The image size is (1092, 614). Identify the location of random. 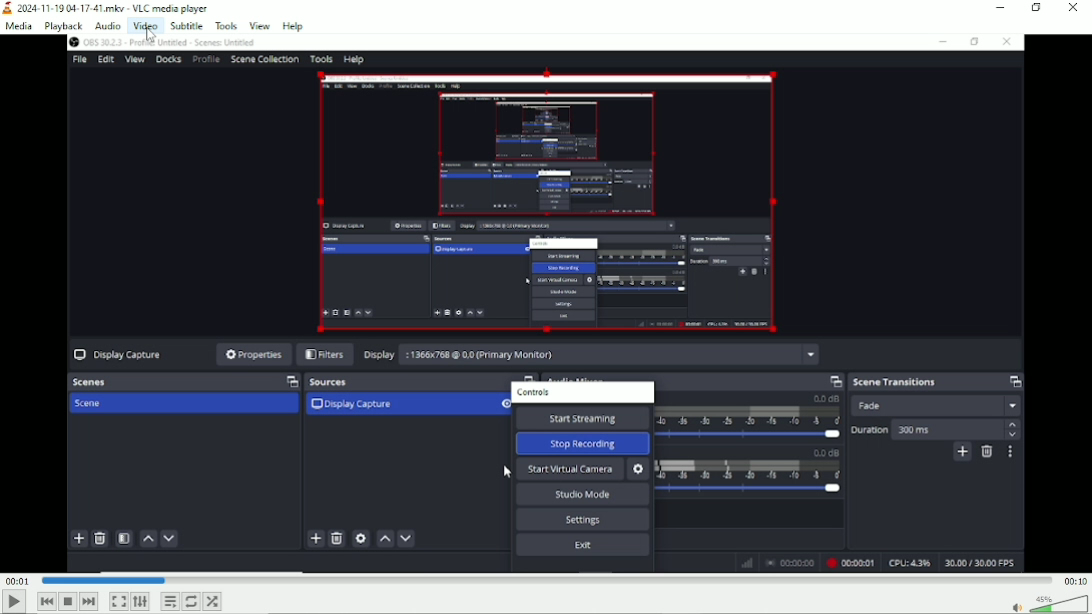
(214, 601).